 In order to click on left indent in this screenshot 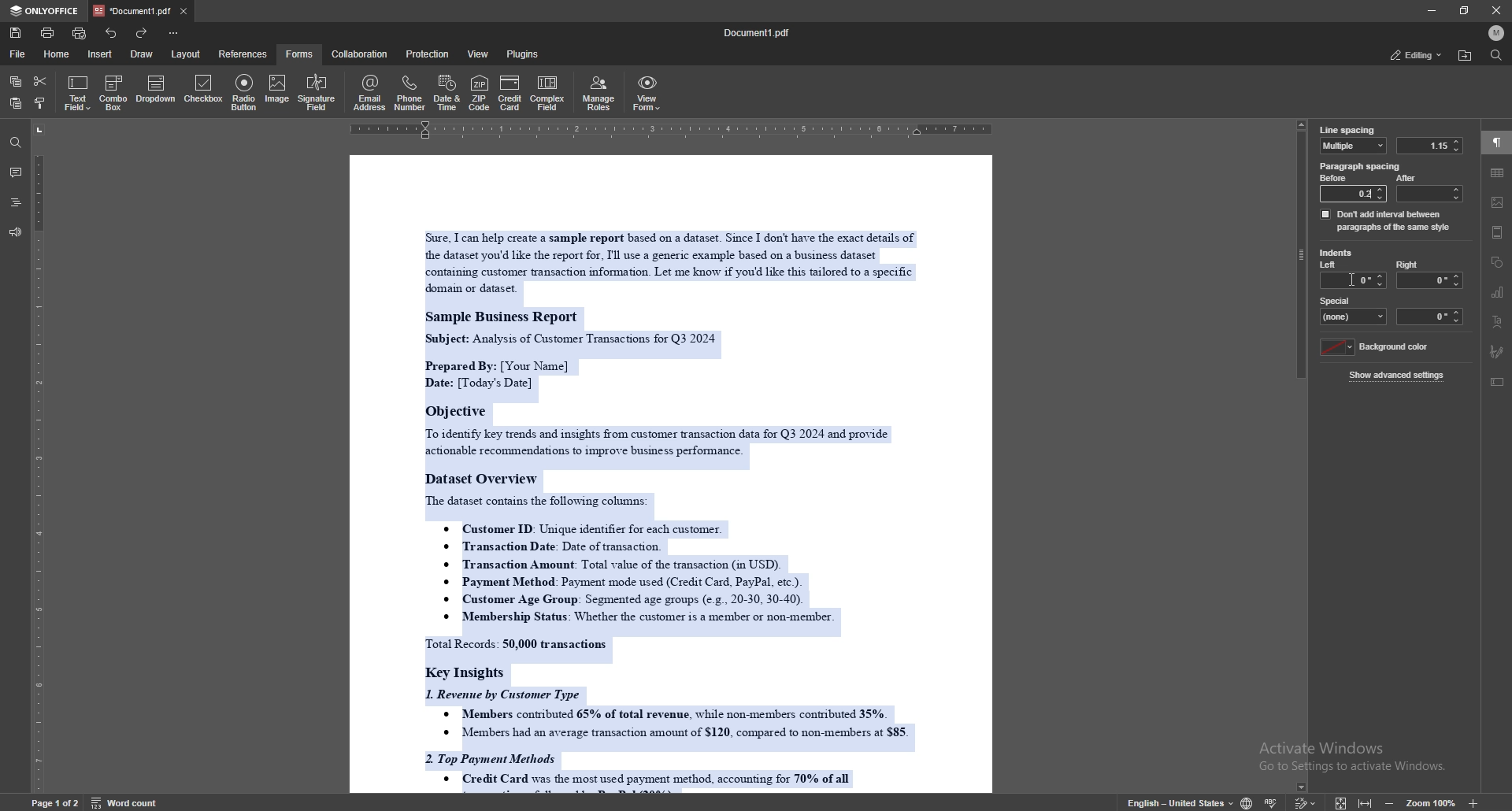, I will do `click(1353, 275)`.